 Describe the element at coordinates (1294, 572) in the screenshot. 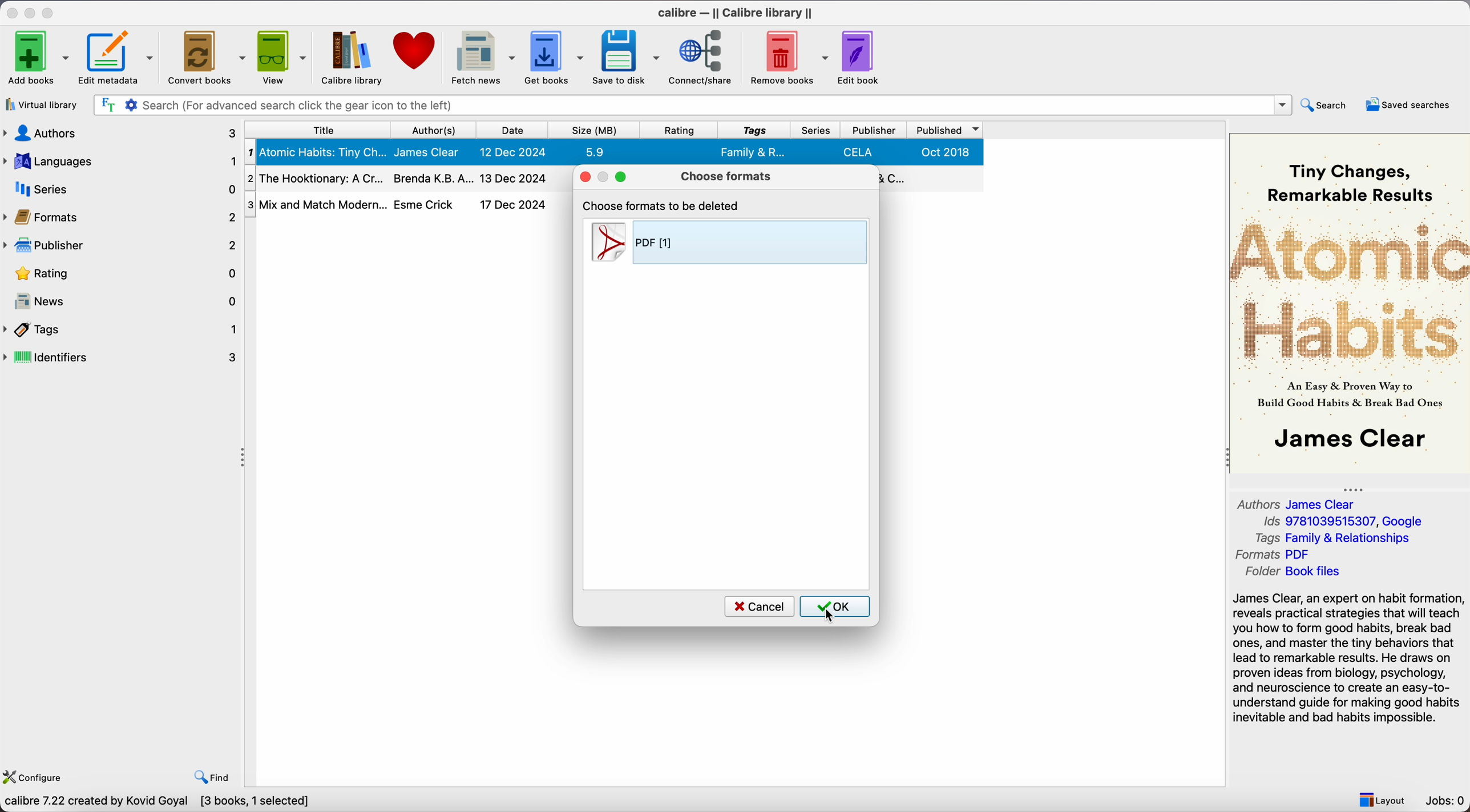

I see `Folder Book files` at that location.